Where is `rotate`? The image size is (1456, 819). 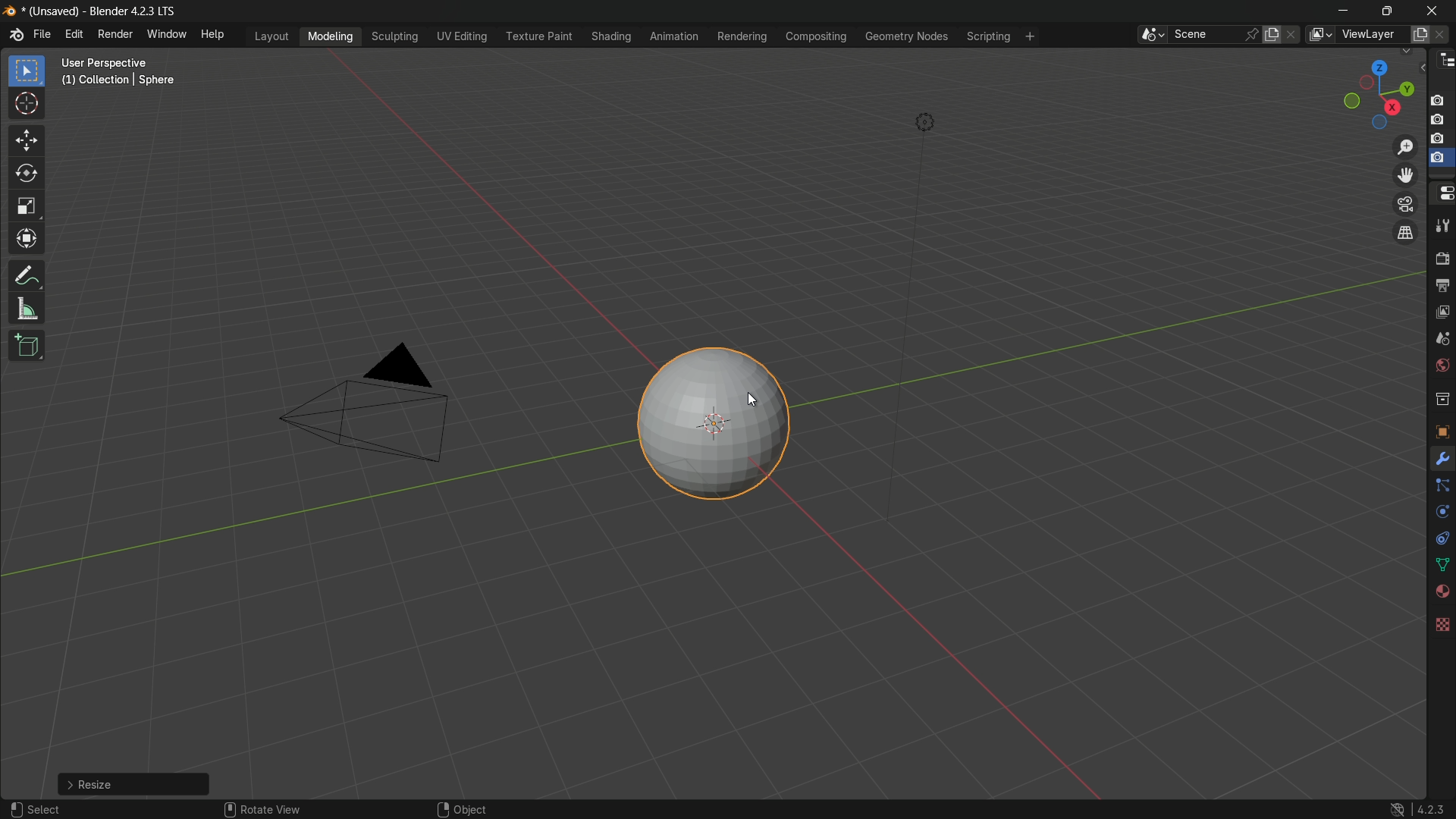 rotate is located at coordinates (27, 176).